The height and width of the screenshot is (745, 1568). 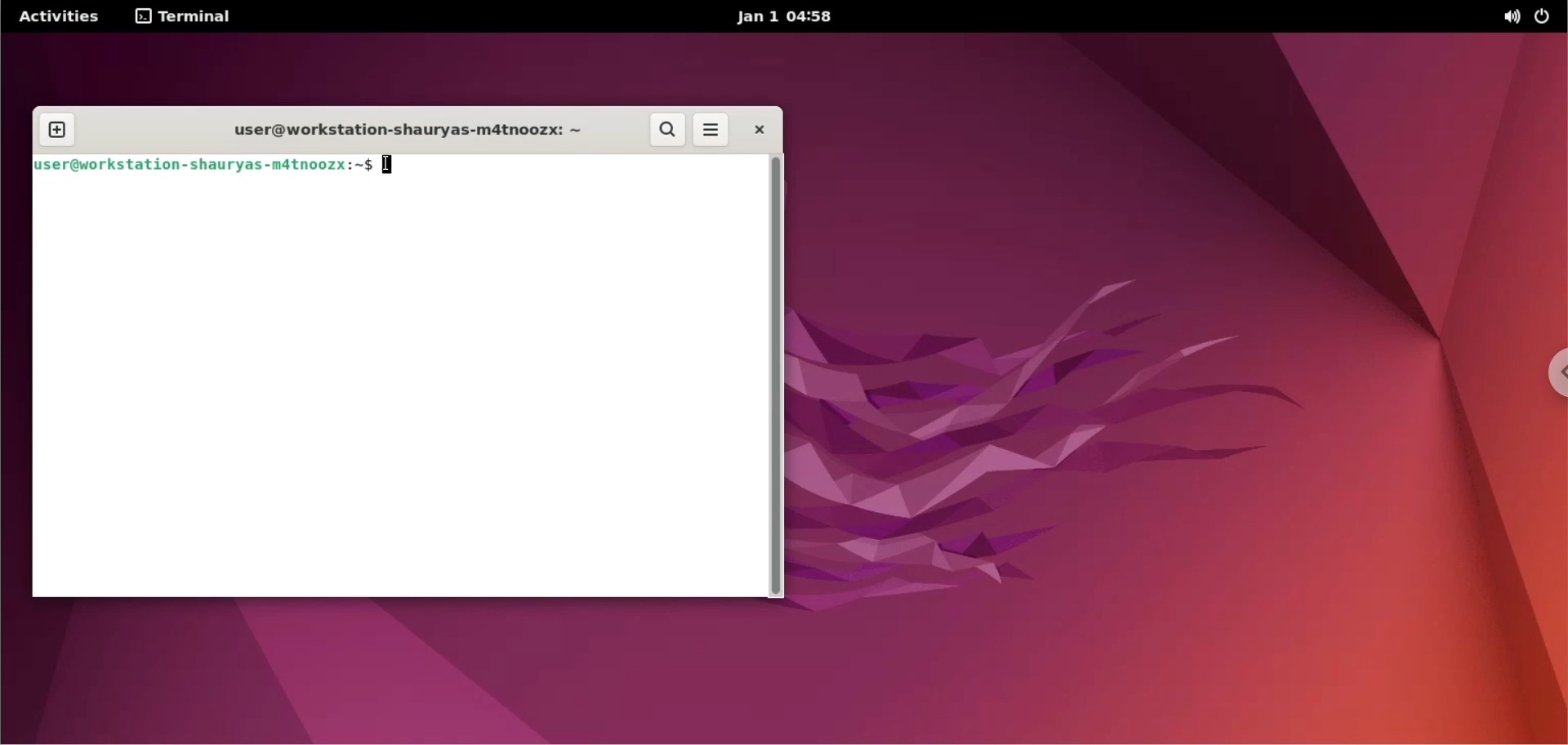 What do you see at coordinates (669, 131) in the screenshot?
I see `search` at bounding box center [669, 131].